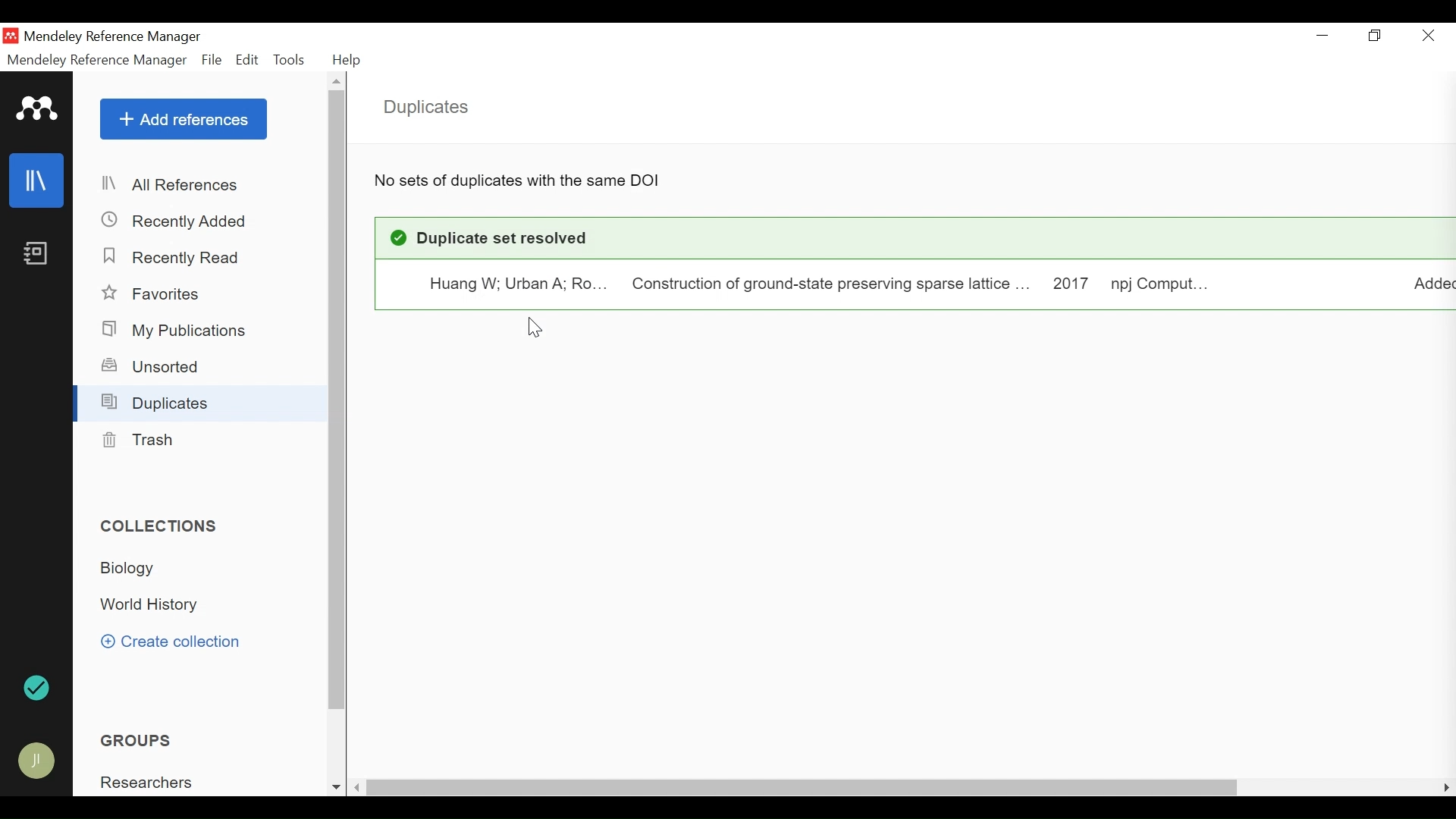  Describe the element at coordinates (169, 643) in the screenshot. I see `Create Collection` at that location.